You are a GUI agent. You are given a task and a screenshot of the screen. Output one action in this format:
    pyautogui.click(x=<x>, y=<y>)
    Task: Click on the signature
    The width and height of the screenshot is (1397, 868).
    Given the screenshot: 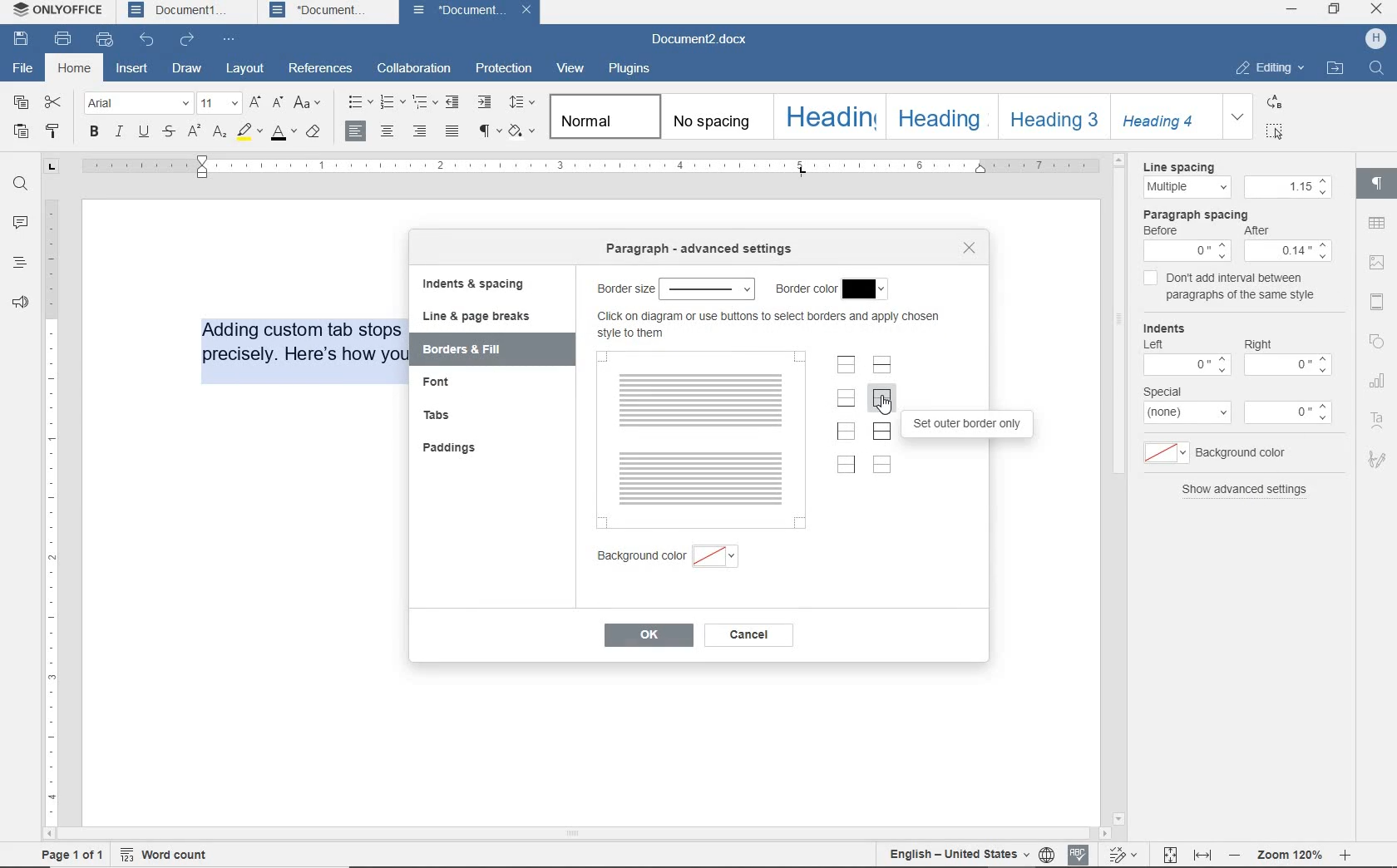 What is the action you would take?
    pyautogui.click(x=1379, y=456)
    